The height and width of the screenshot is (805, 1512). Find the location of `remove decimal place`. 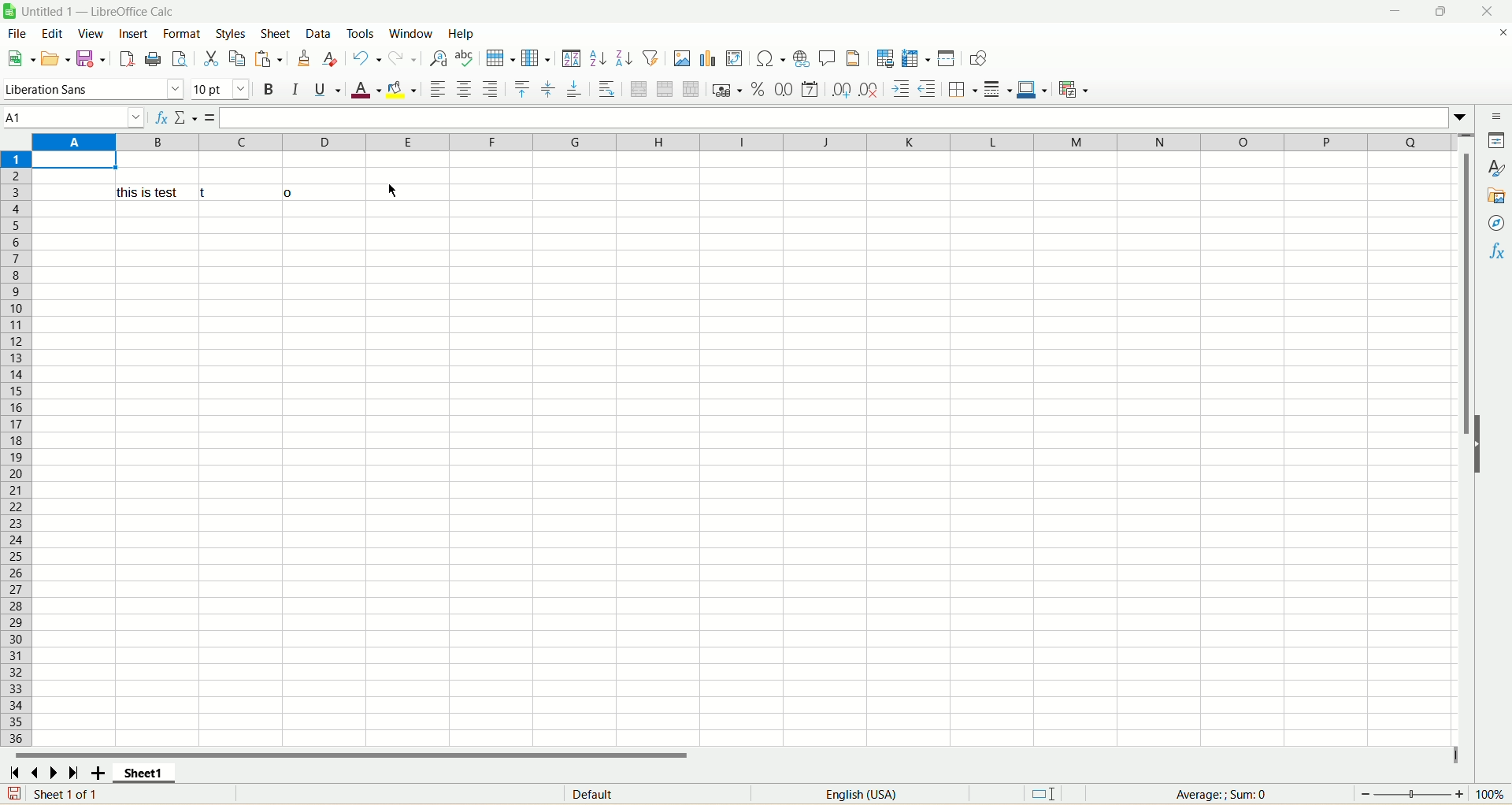

remove decimal place is located at coordinates (872, 90).